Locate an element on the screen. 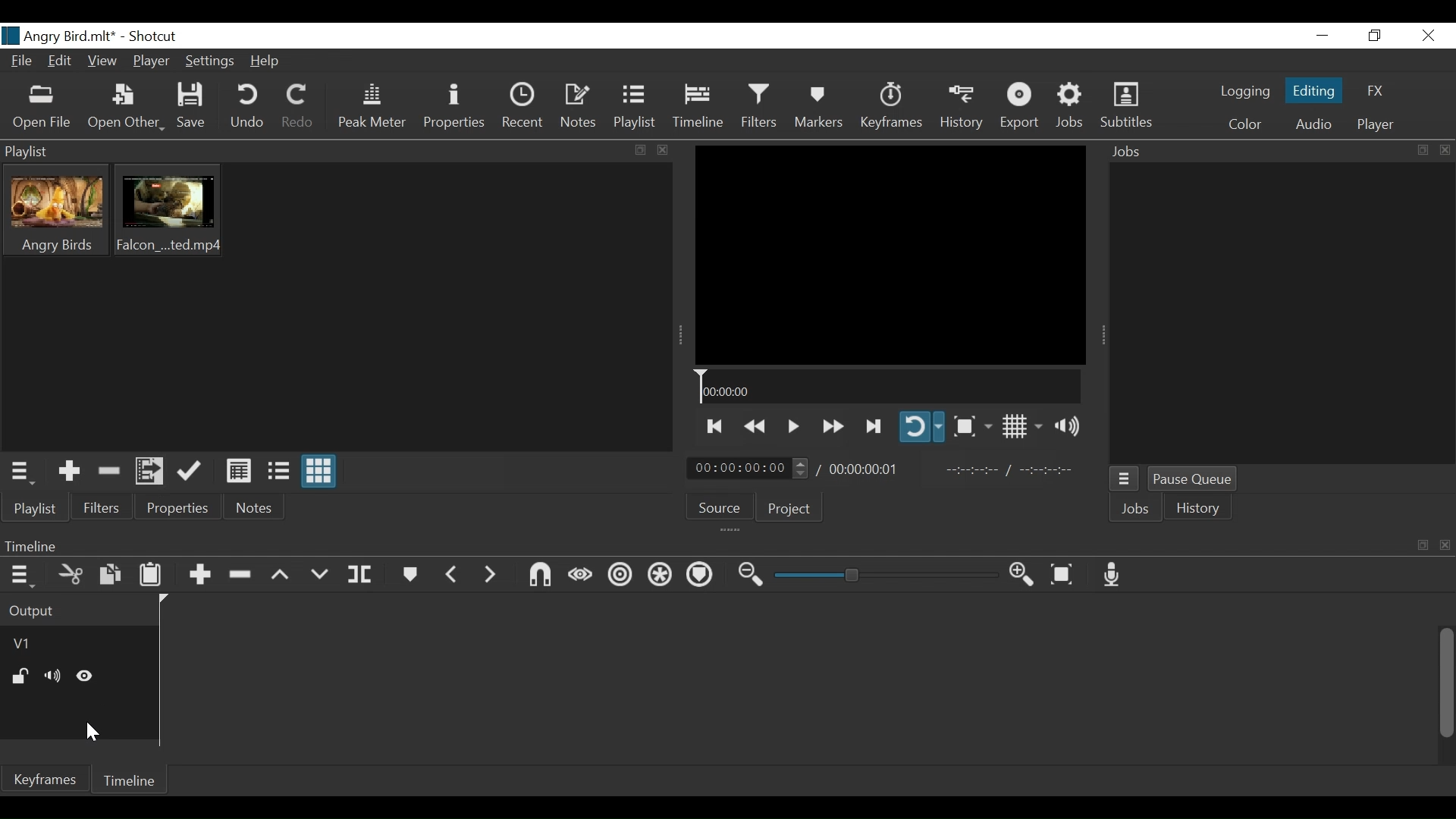 Image resolution: width=1456 pixels, height=819 pixels. Toggle display grid on player is located at coordinates (1022, 427).